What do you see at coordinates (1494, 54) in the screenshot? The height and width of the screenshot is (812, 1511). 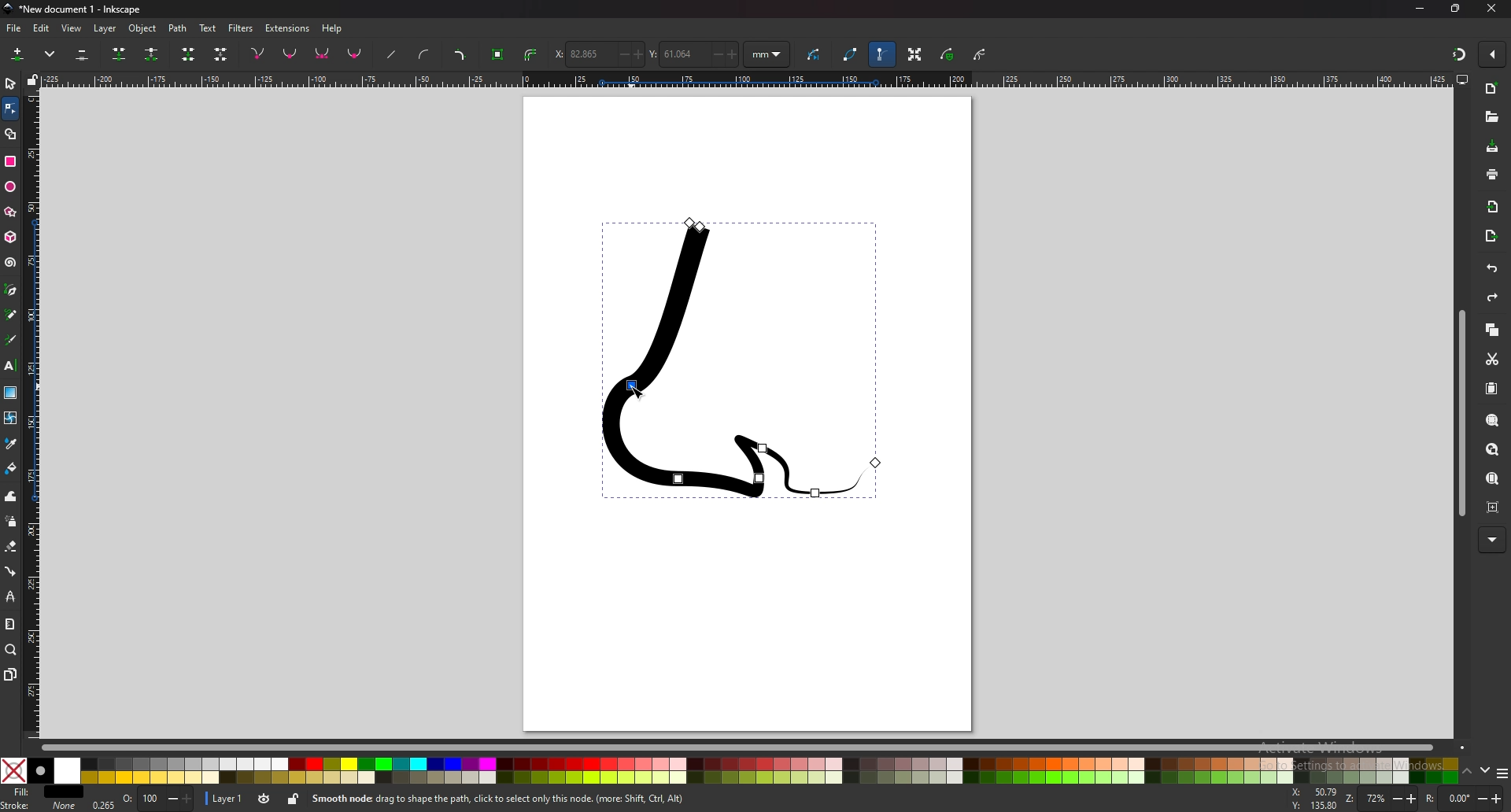 I see `enable snapping` at bounding box center [1494, 54].